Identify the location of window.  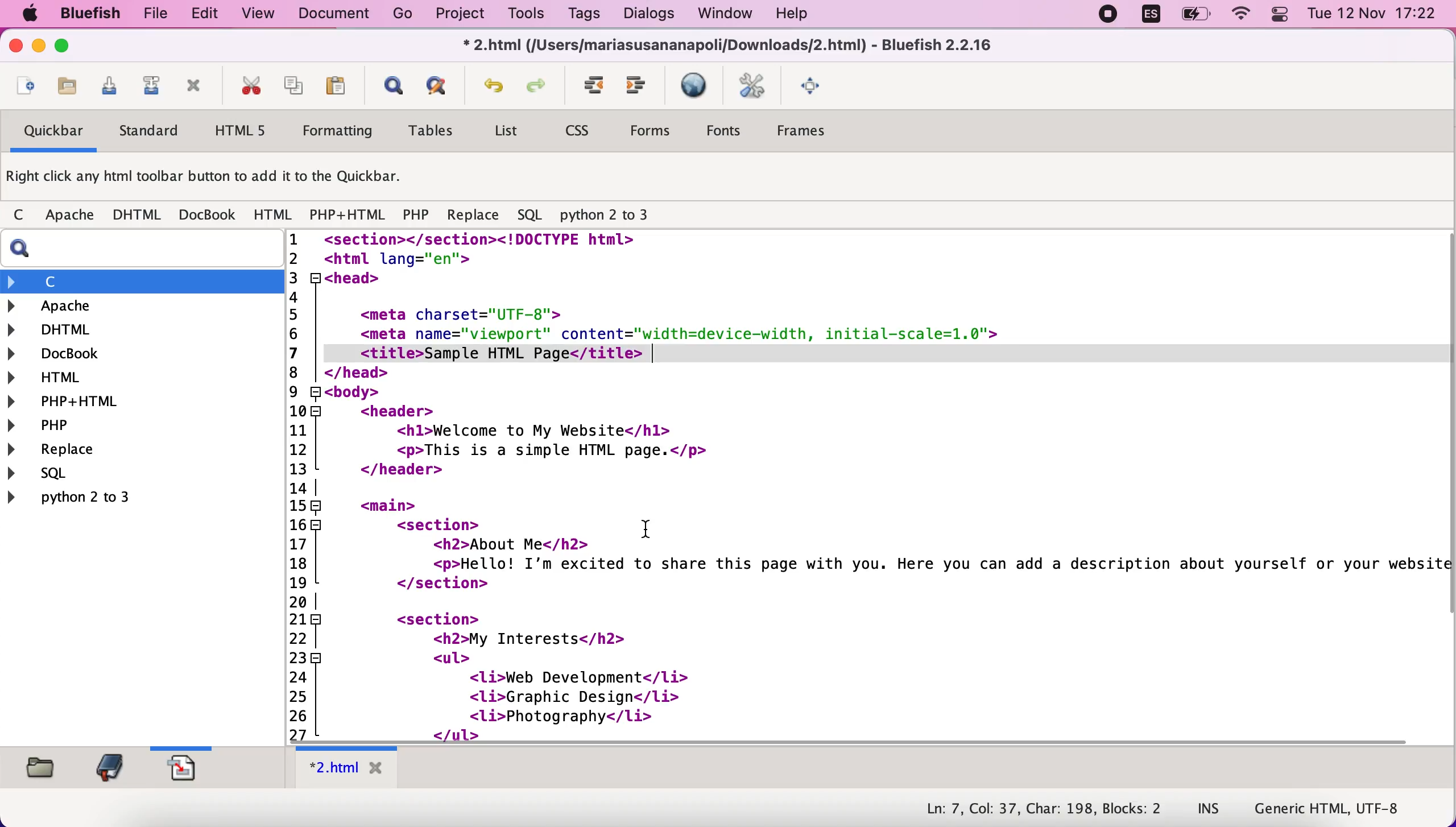
(728, 15).